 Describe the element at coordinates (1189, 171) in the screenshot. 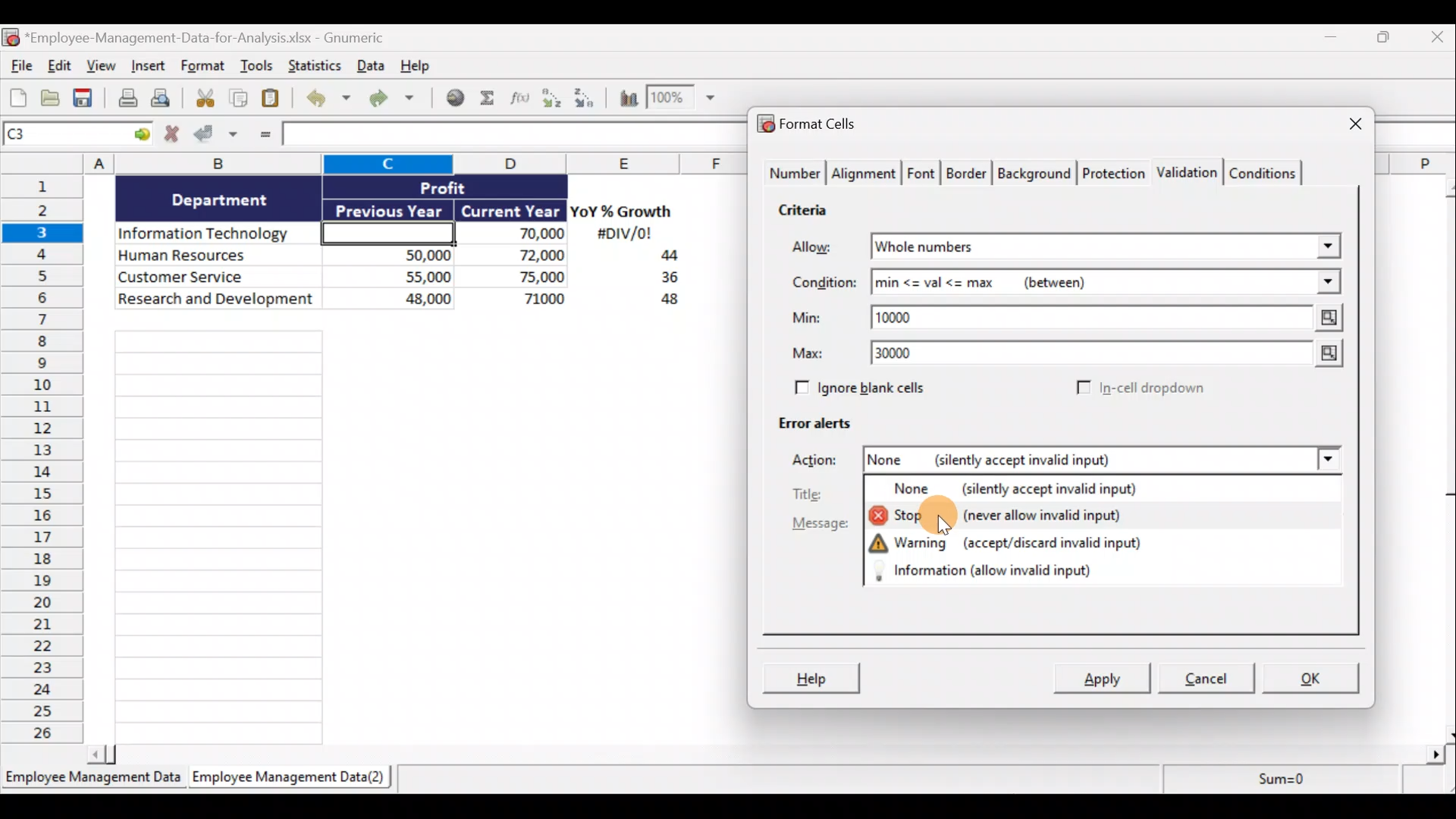

I see `Validation` at that location.